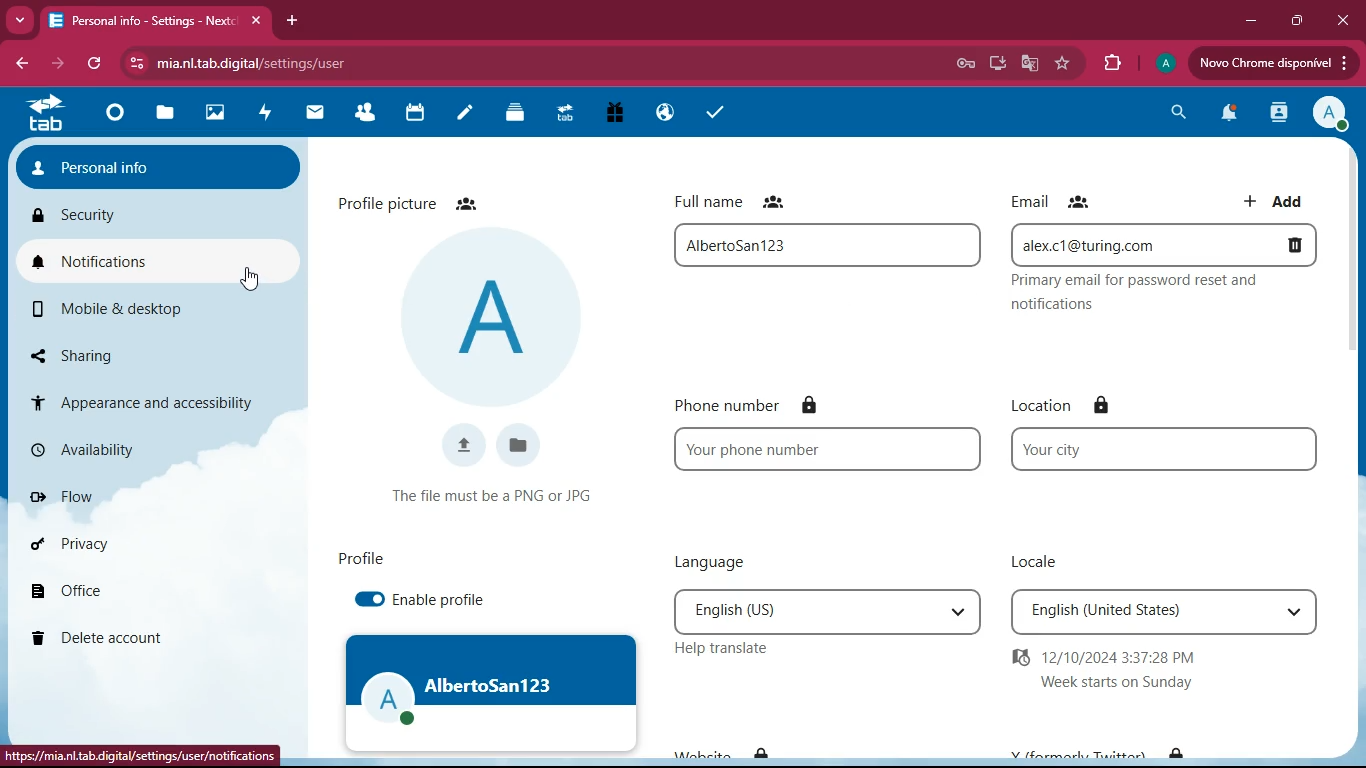 The width and height of the screenshot is (1366, 768). Describe the element at coordinates (462, 446) in the screenshot. I see `upload` at that location.